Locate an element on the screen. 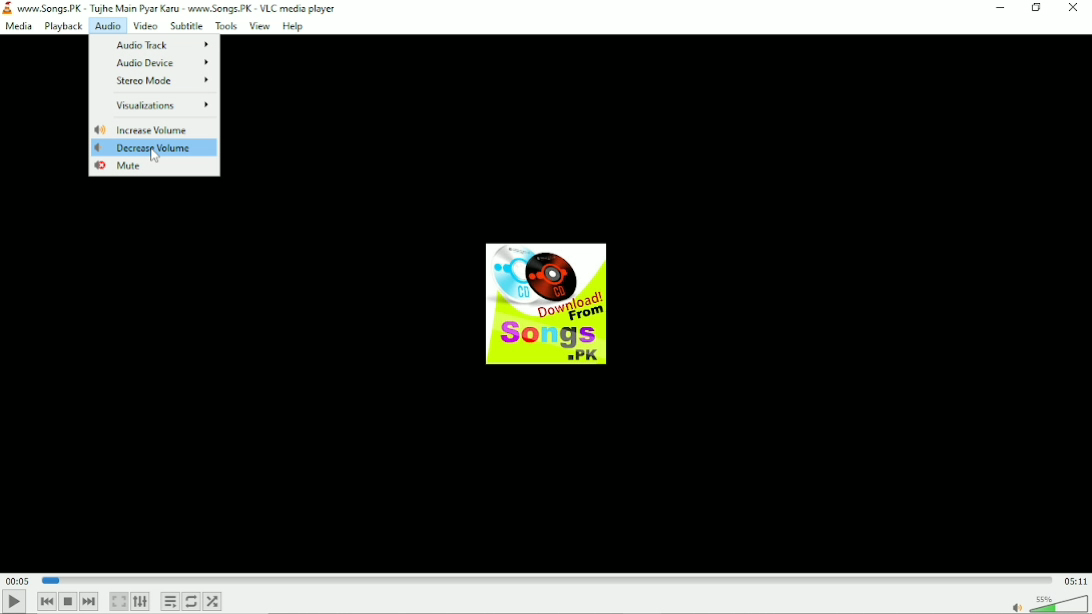  Next is located at coordinates (91, 602).